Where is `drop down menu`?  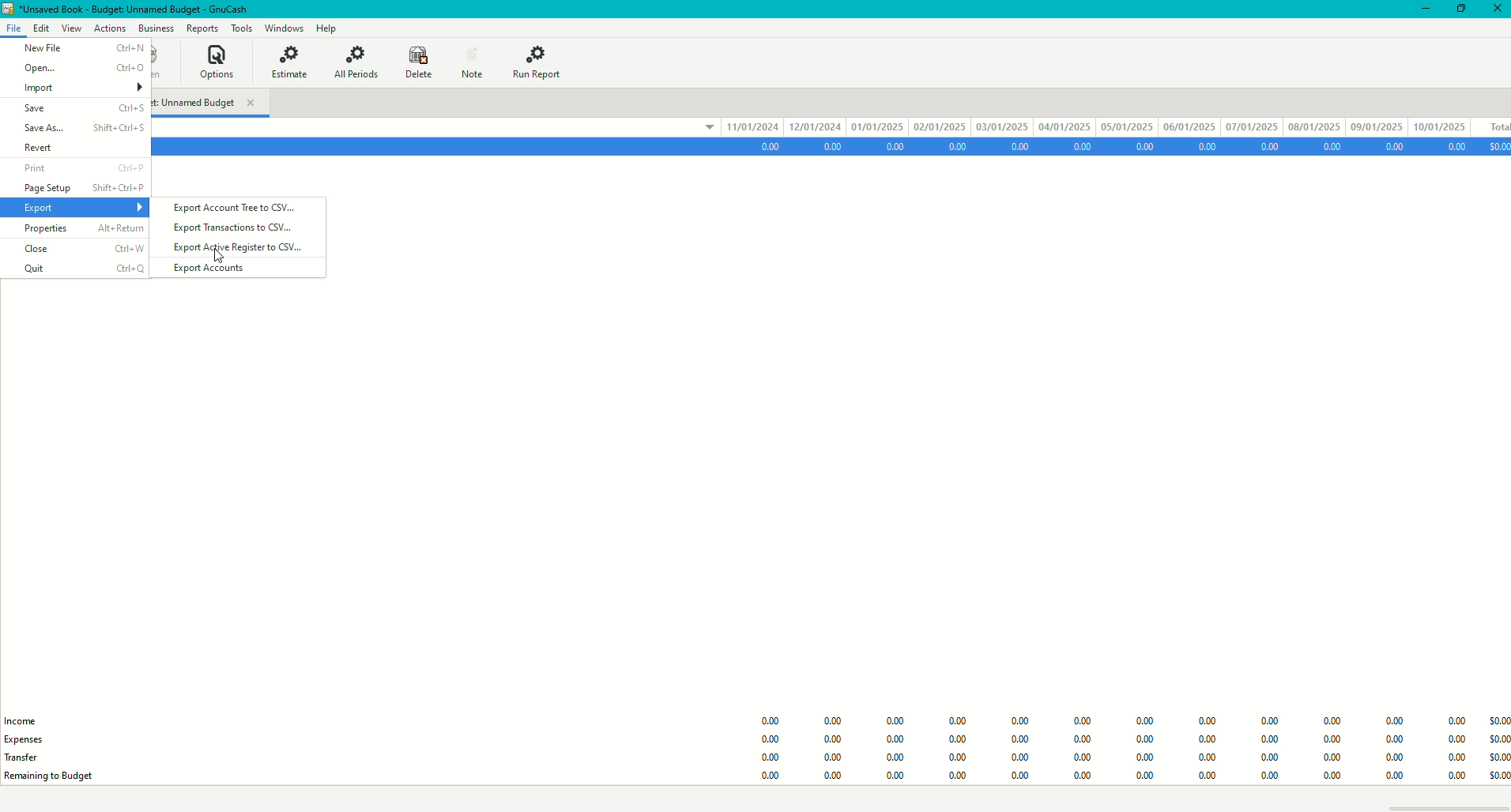
drop down menu is located at coordinates (699, 130).